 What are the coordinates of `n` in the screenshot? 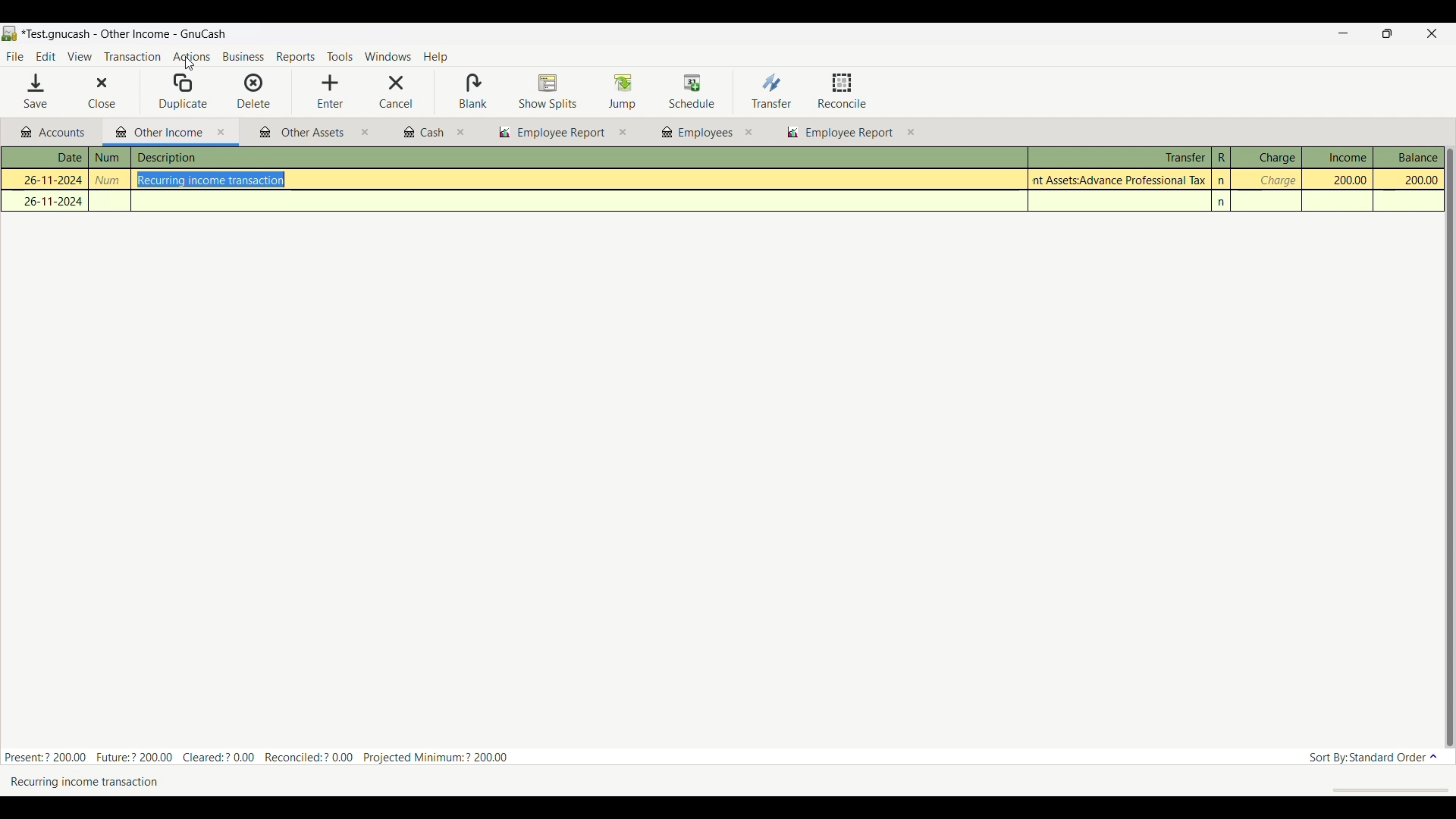 It's located at (1223, 202).